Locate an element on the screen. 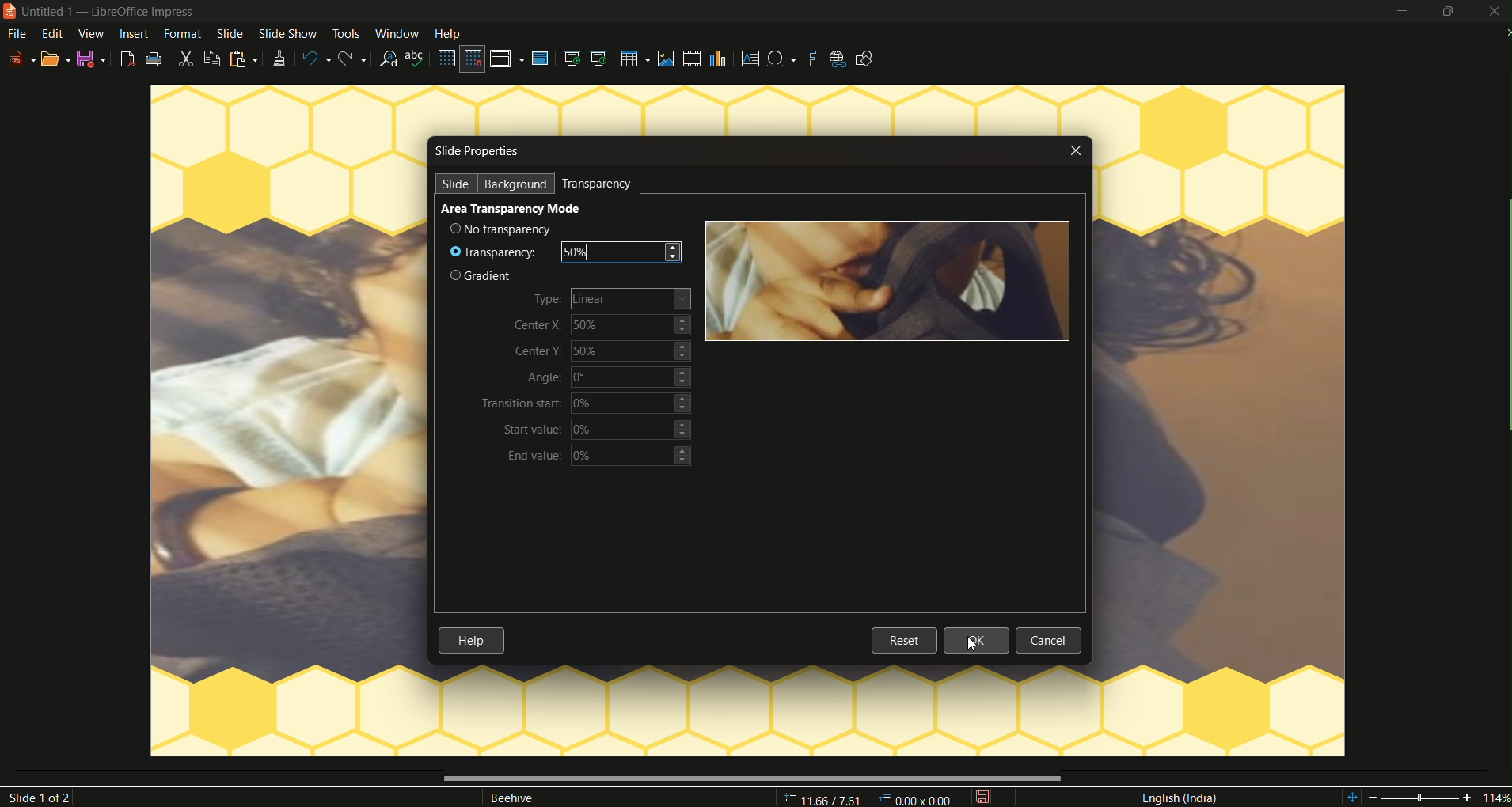  tools is located at coordinates (345, 34).